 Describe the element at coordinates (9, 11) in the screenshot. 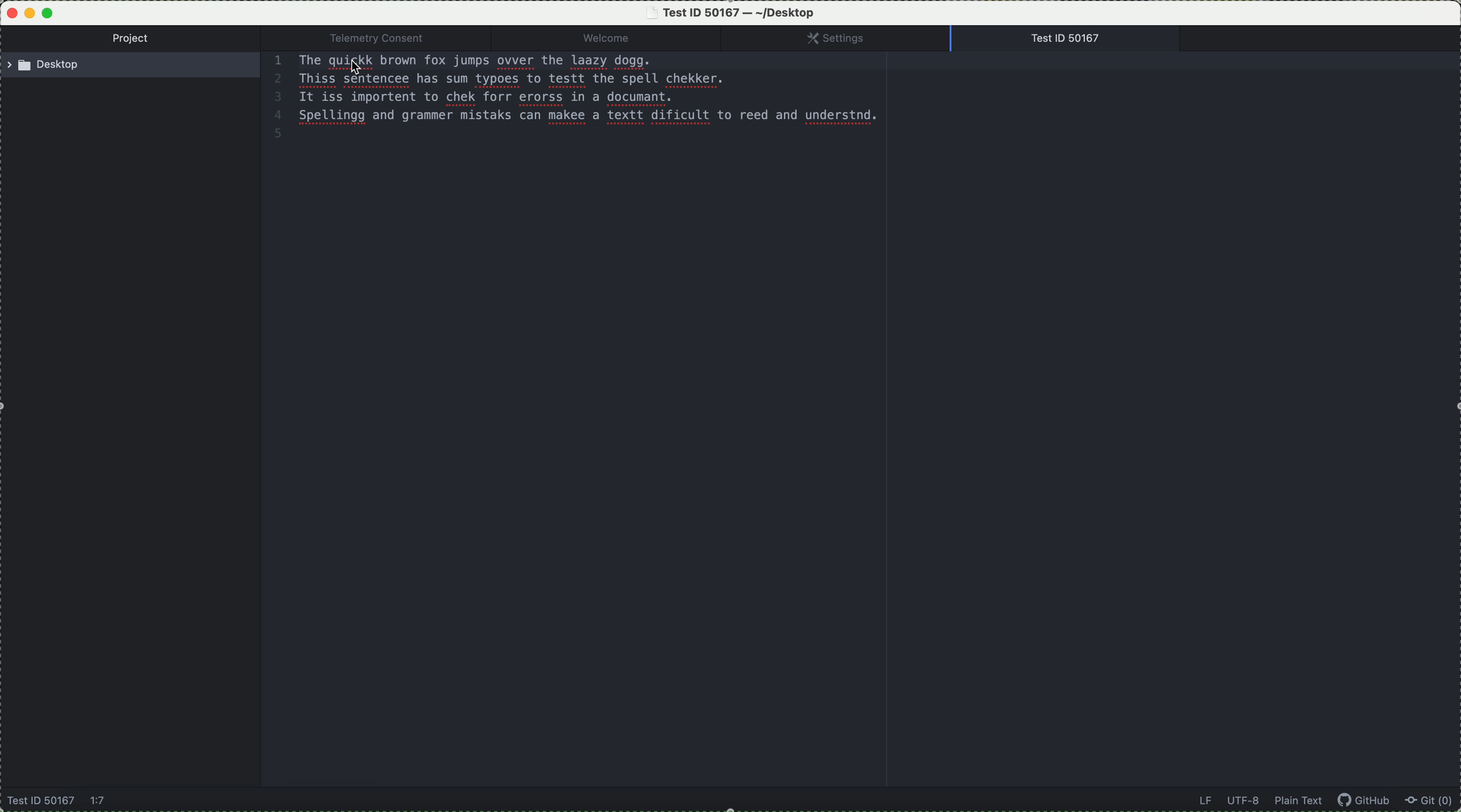

I see `close program` at that location.